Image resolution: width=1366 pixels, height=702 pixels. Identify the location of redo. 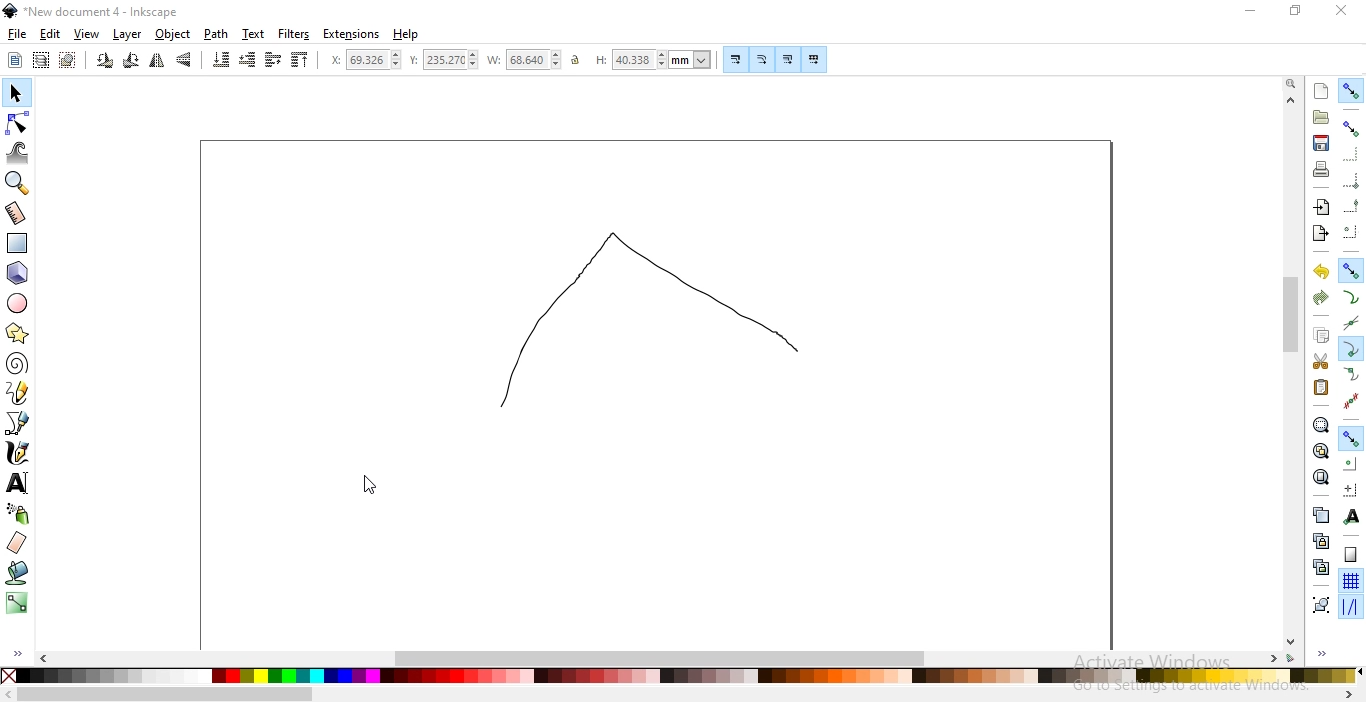
(1320, 298).